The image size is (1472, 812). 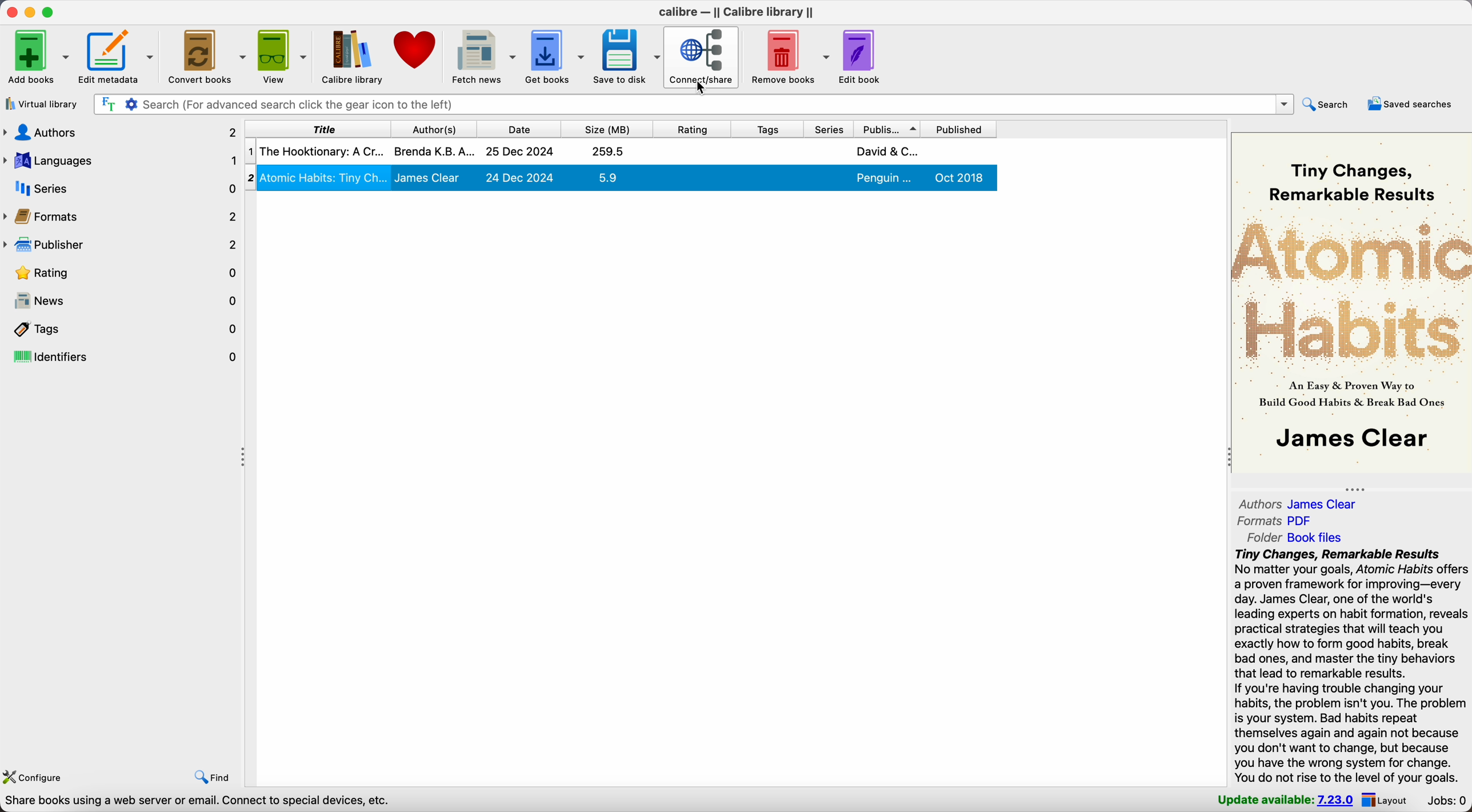 What do you see at coordinates (121, 189) in the screenshot?
I see `series` at bounding box center [121, 189].